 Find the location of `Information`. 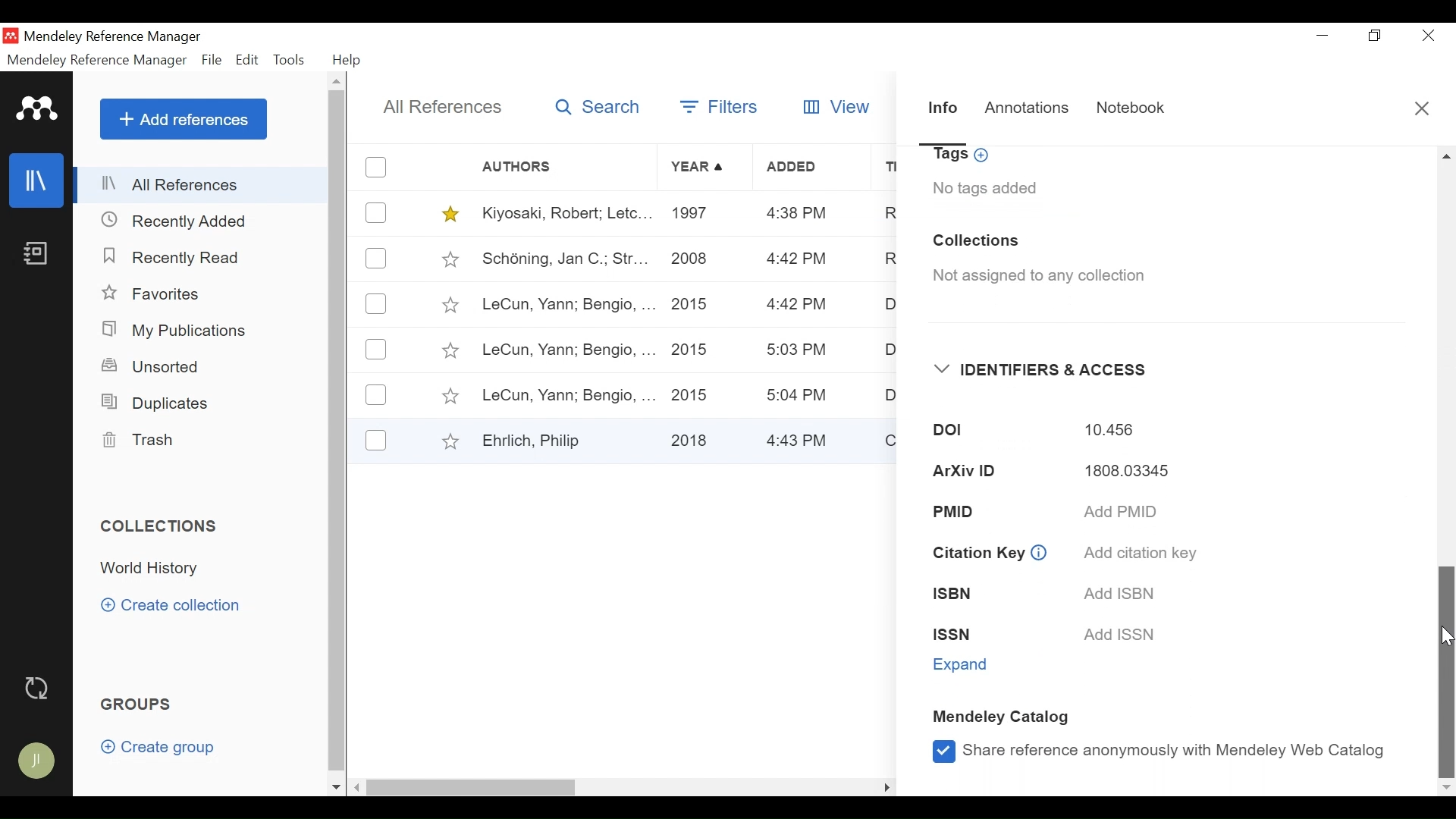

Information is located at coordinates (1040, 551).